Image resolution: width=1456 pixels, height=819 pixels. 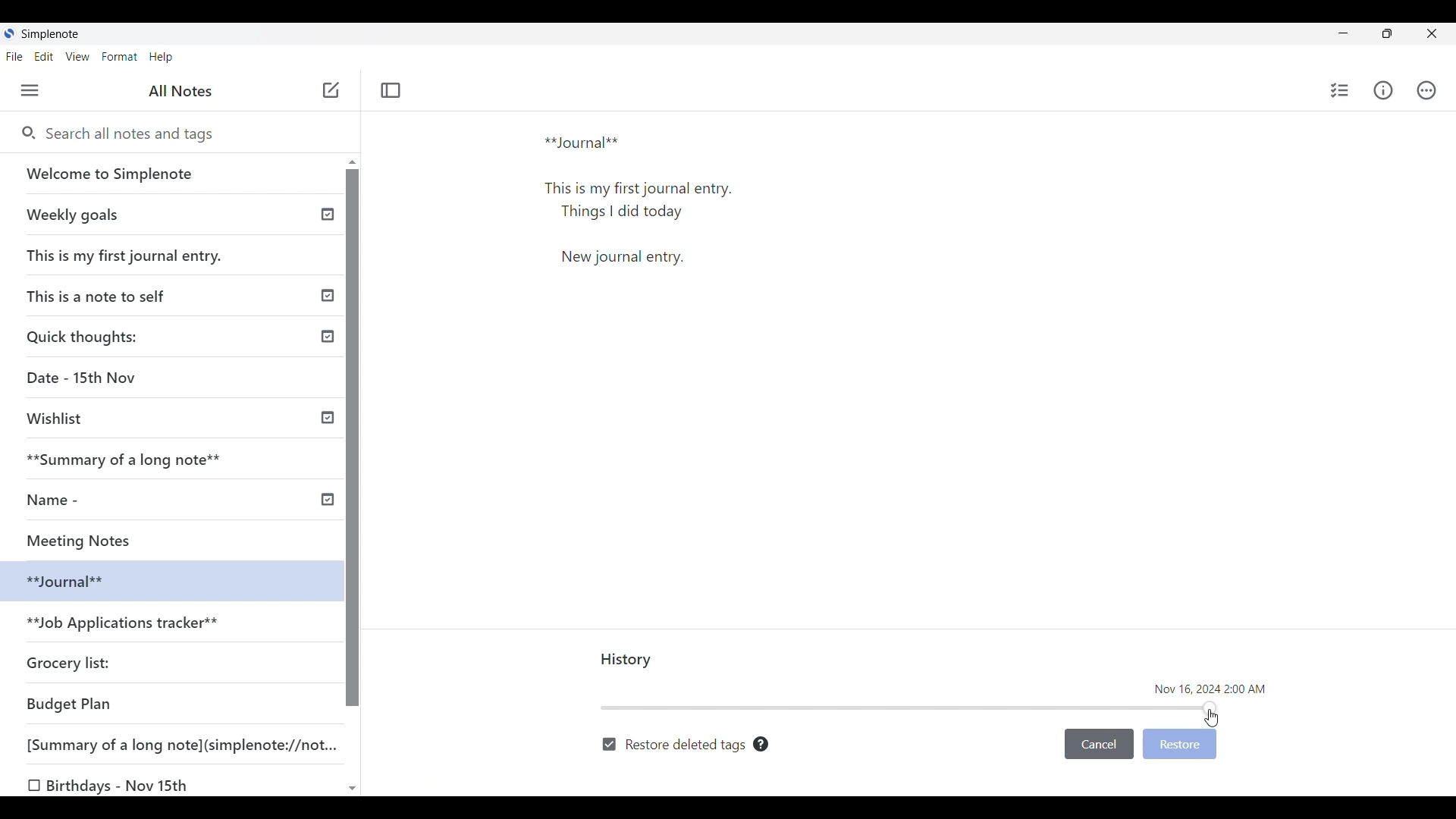 I want to click on Name -, so click(x=58, y=500).